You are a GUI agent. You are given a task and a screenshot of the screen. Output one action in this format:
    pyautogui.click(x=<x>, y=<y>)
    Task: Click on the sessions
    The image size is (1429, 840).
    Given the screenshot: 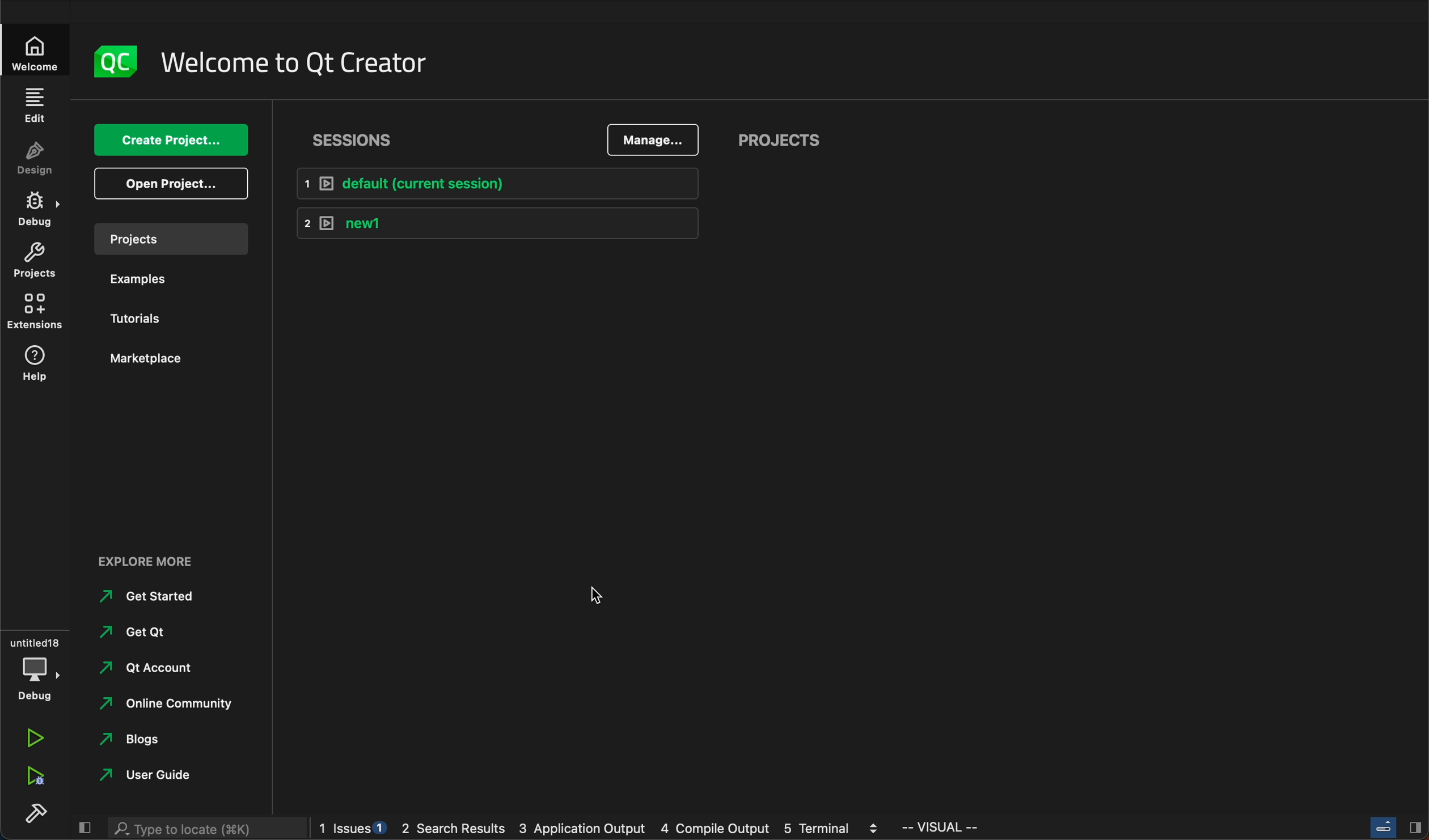 What is the action you would take?
    pyautogui.click(x=362, y=139)
    